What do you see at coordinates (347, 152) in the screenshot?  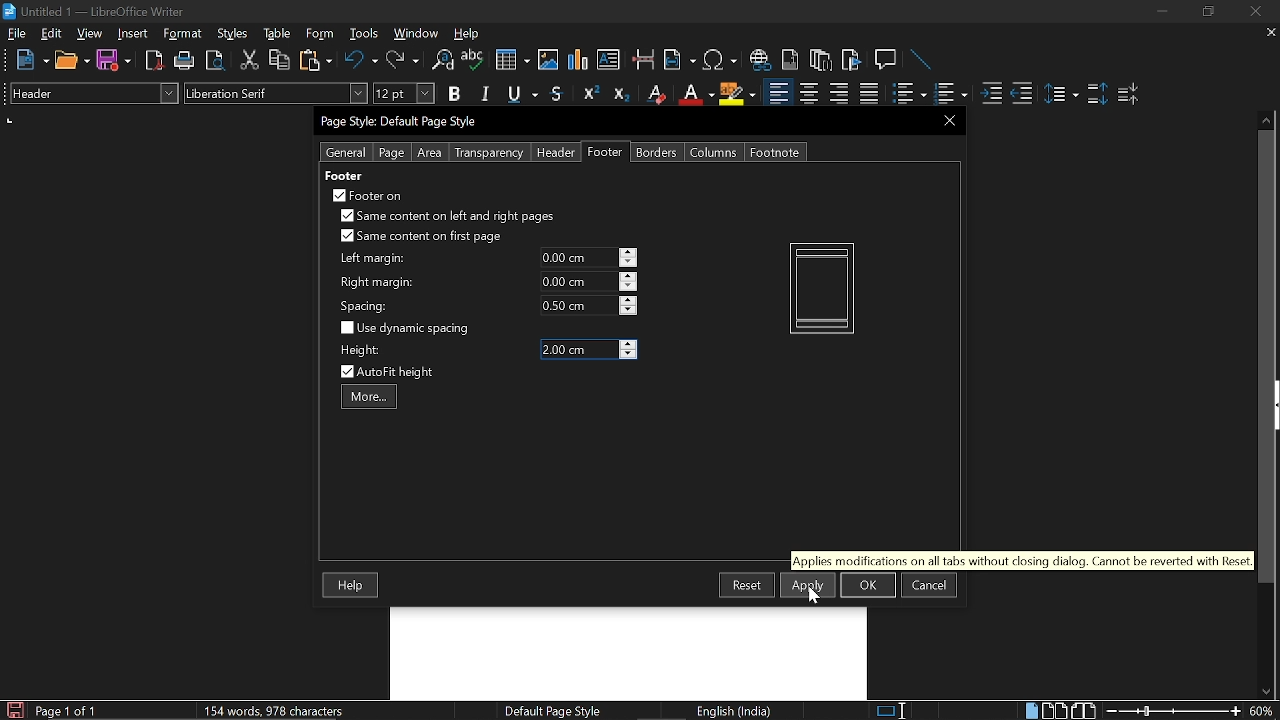 I see `General` at bounding box center [347, 152].